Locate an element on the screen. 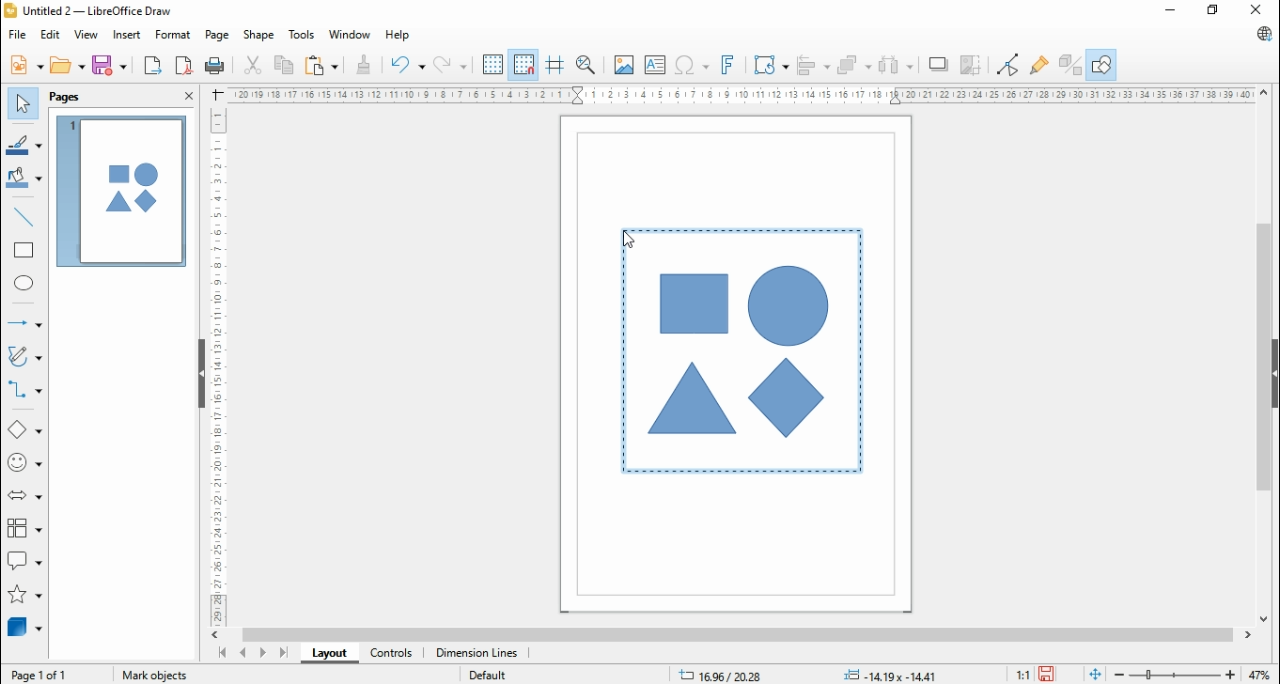  1:1 is located at coordinates (1023, 674).